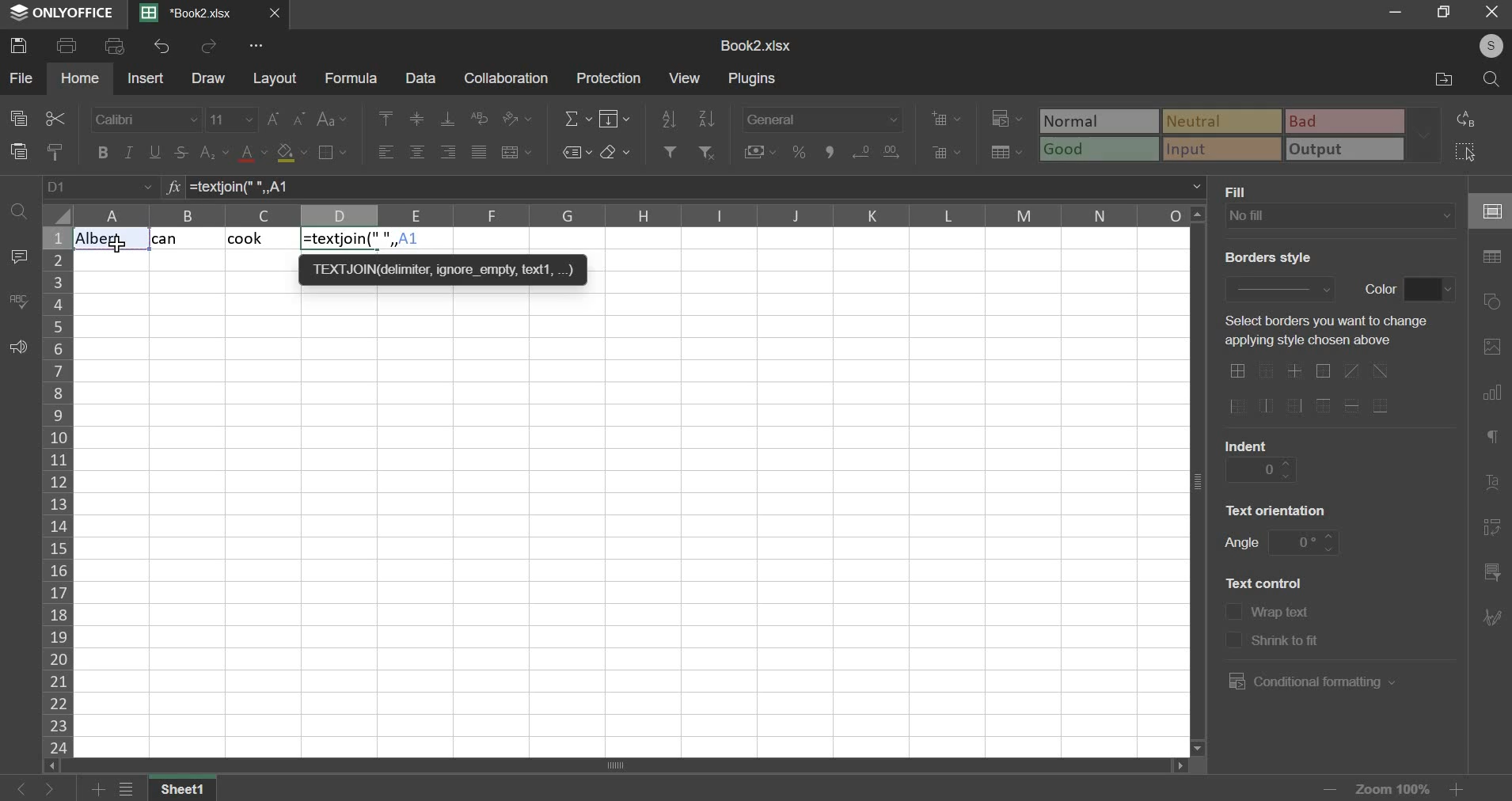 Image resolution: width=1512 pixels, height=801 pixels. I want to click on text color, so click(254, 154).